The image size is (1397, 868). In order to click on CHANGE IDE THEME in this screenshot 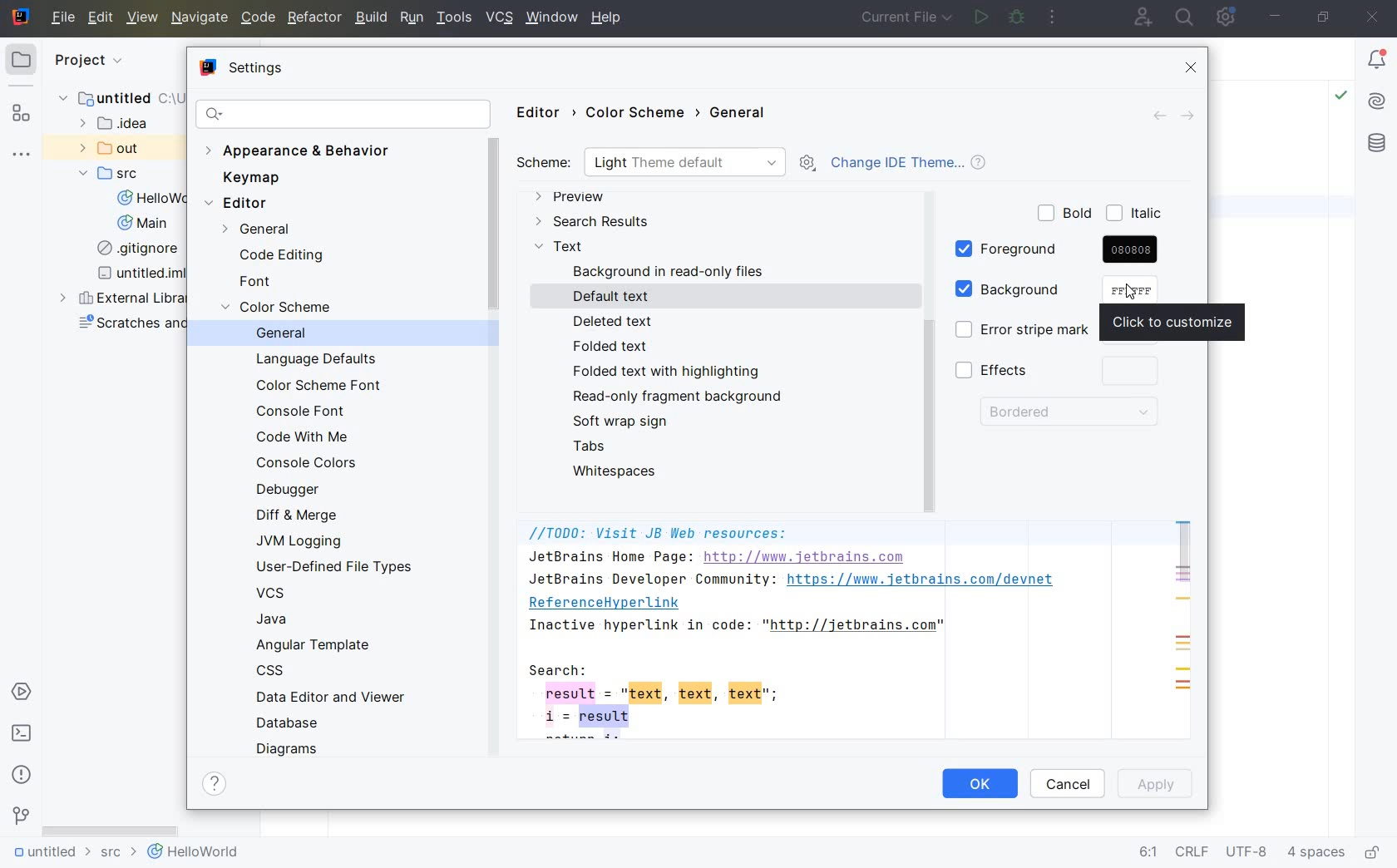, I will do `click(916, 165)`.